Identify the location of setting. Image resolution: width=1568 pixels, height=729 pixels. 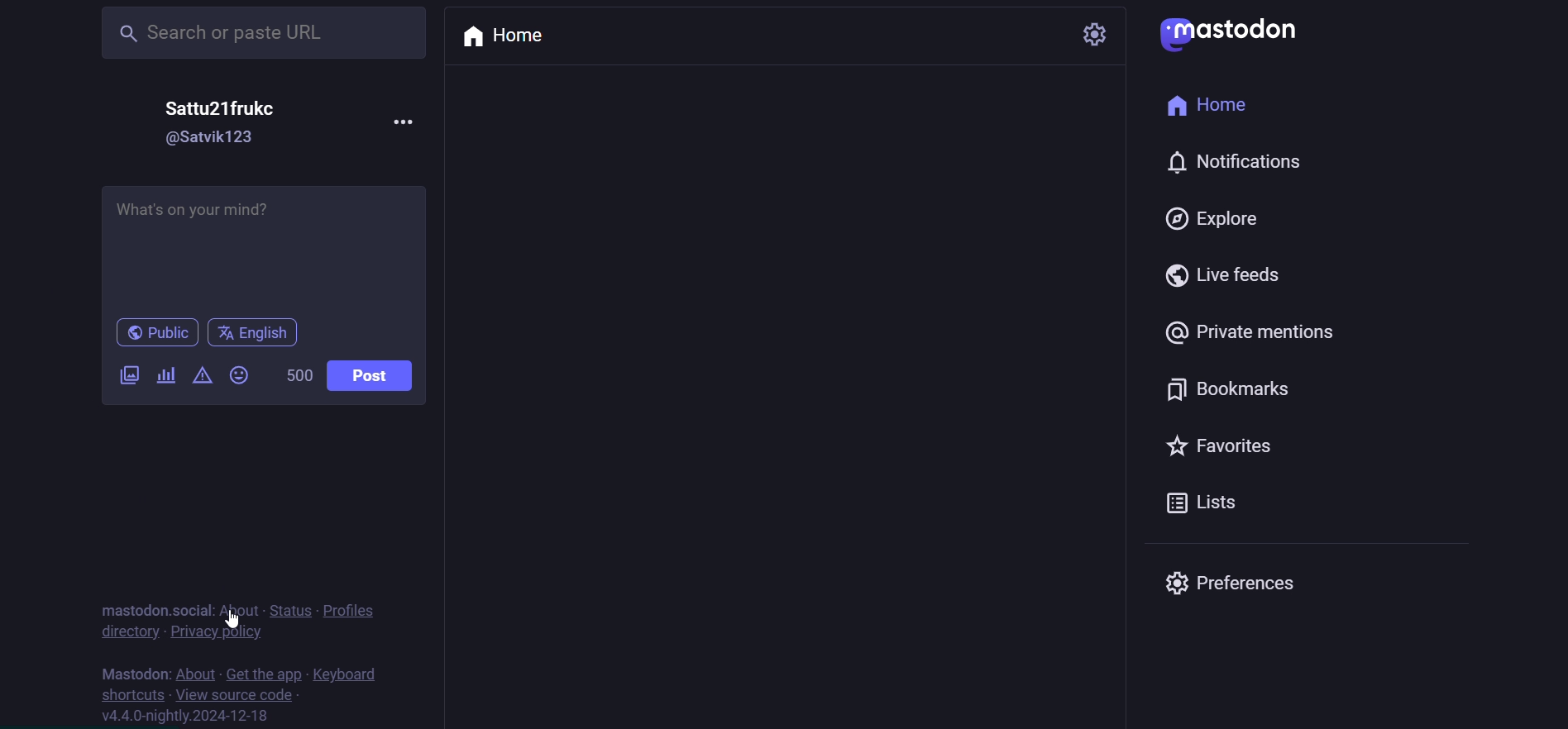
(1096, 34).